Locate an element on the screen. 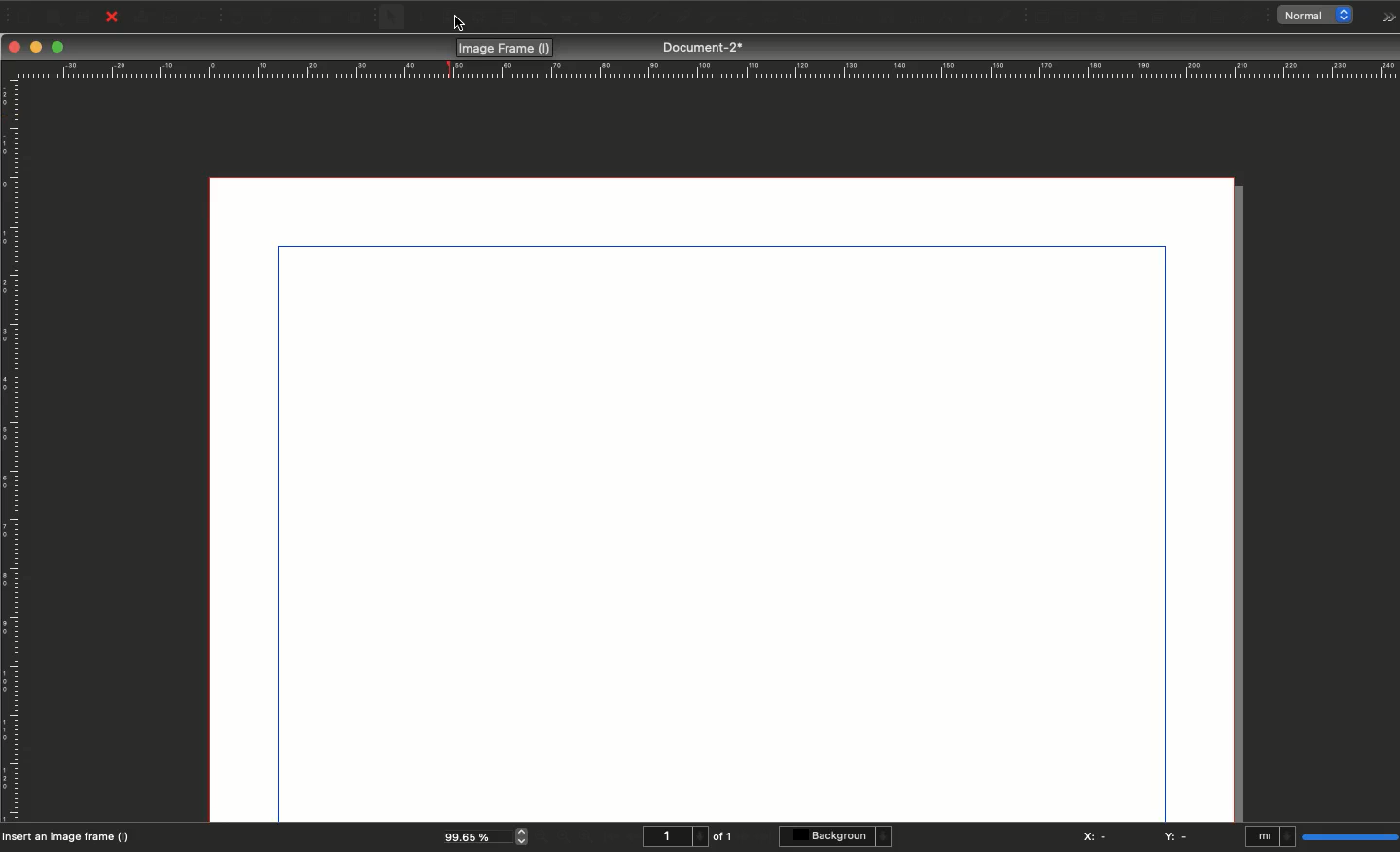 The height and width of the screenshot is (852, 1400). Shape is located at coordinates (540, 18).